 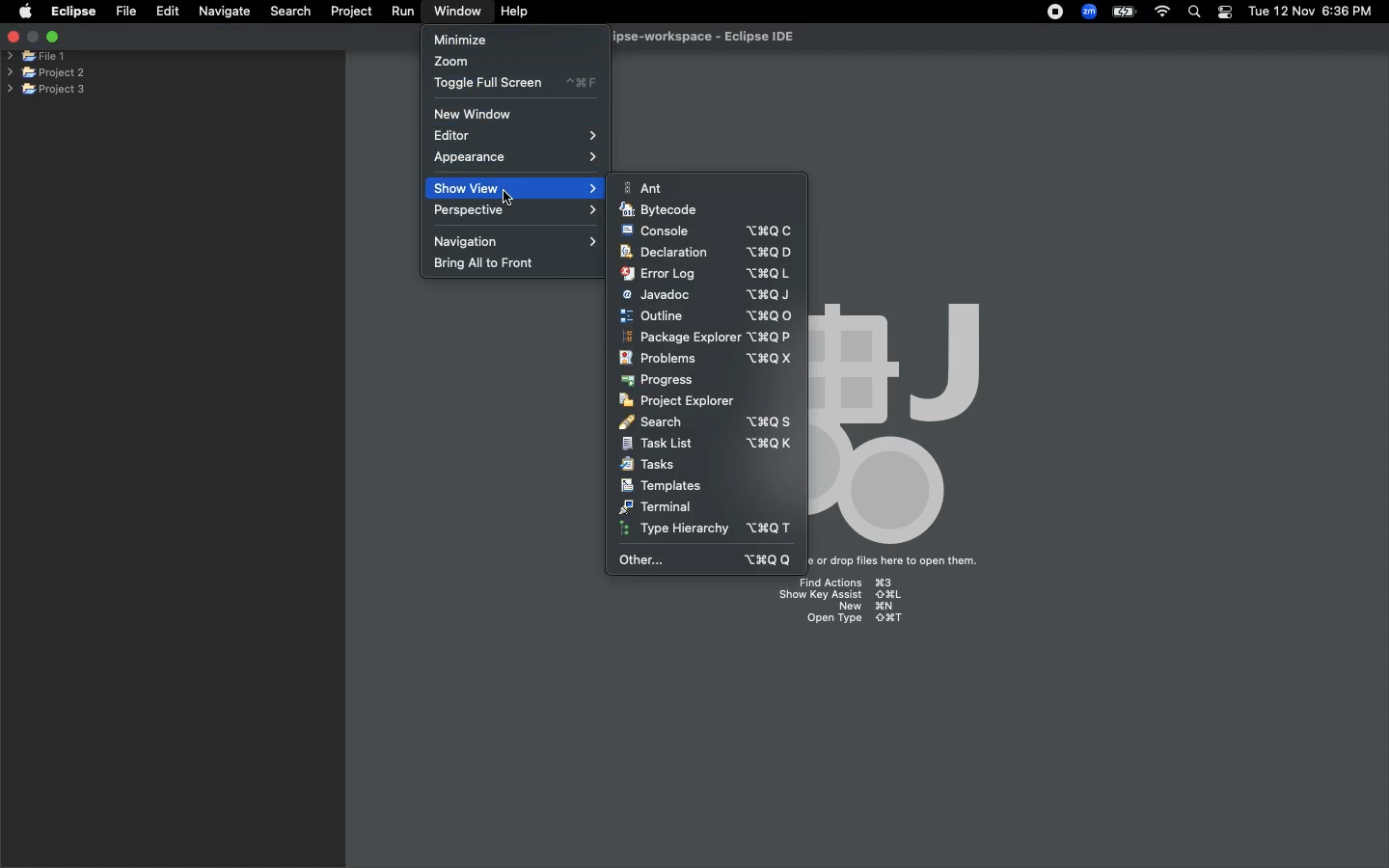 I want to click on Console, so click(x=707, y=231).